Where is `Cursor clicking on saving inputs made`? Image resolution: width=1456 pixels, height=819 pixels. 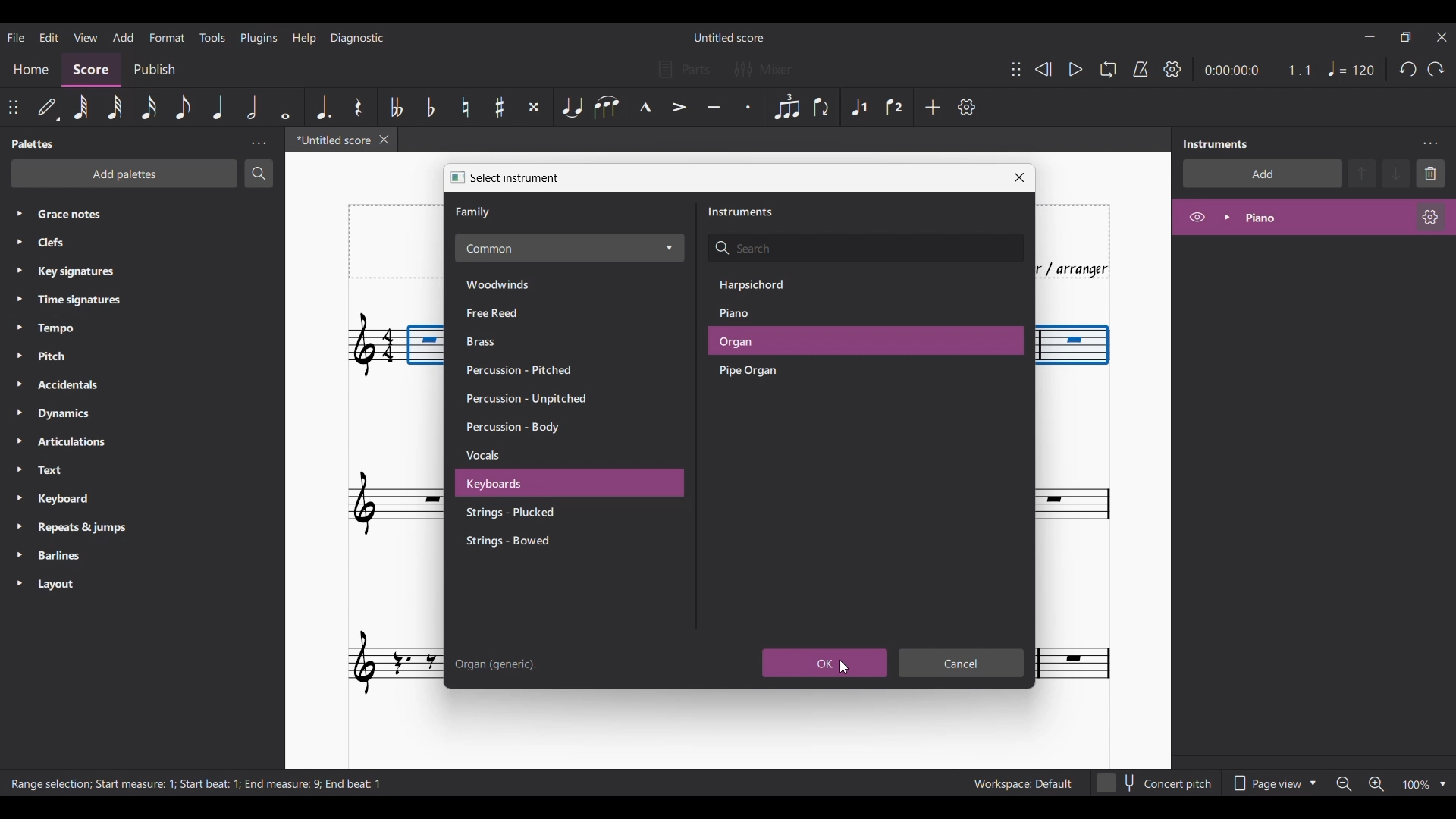 Cursor clicking on saving inputs made is located at coordinates (843, 668).